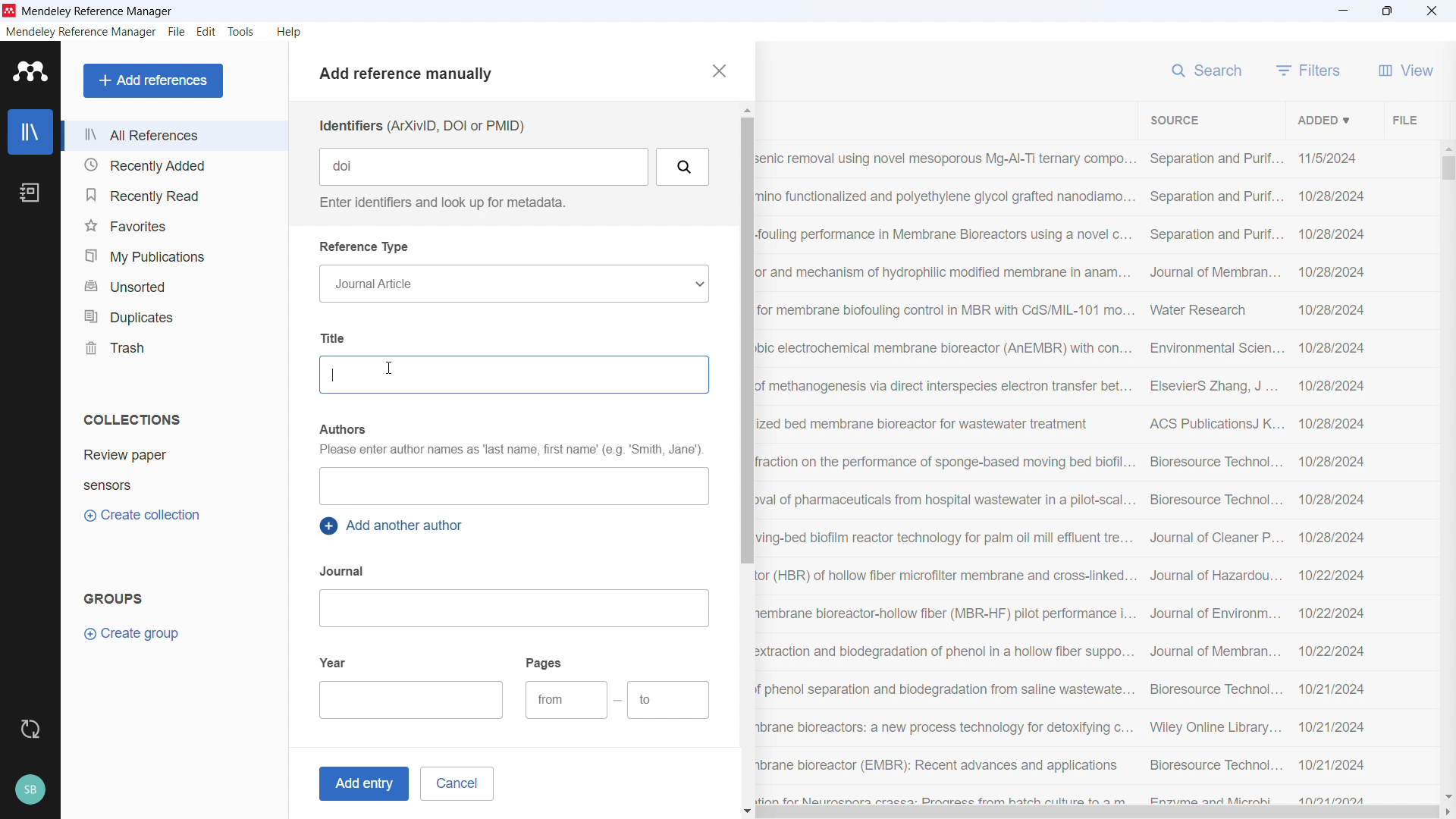 The width and height of the screenshot is (1456, 819). I want to click on Sort by source , so click(1174, 121).